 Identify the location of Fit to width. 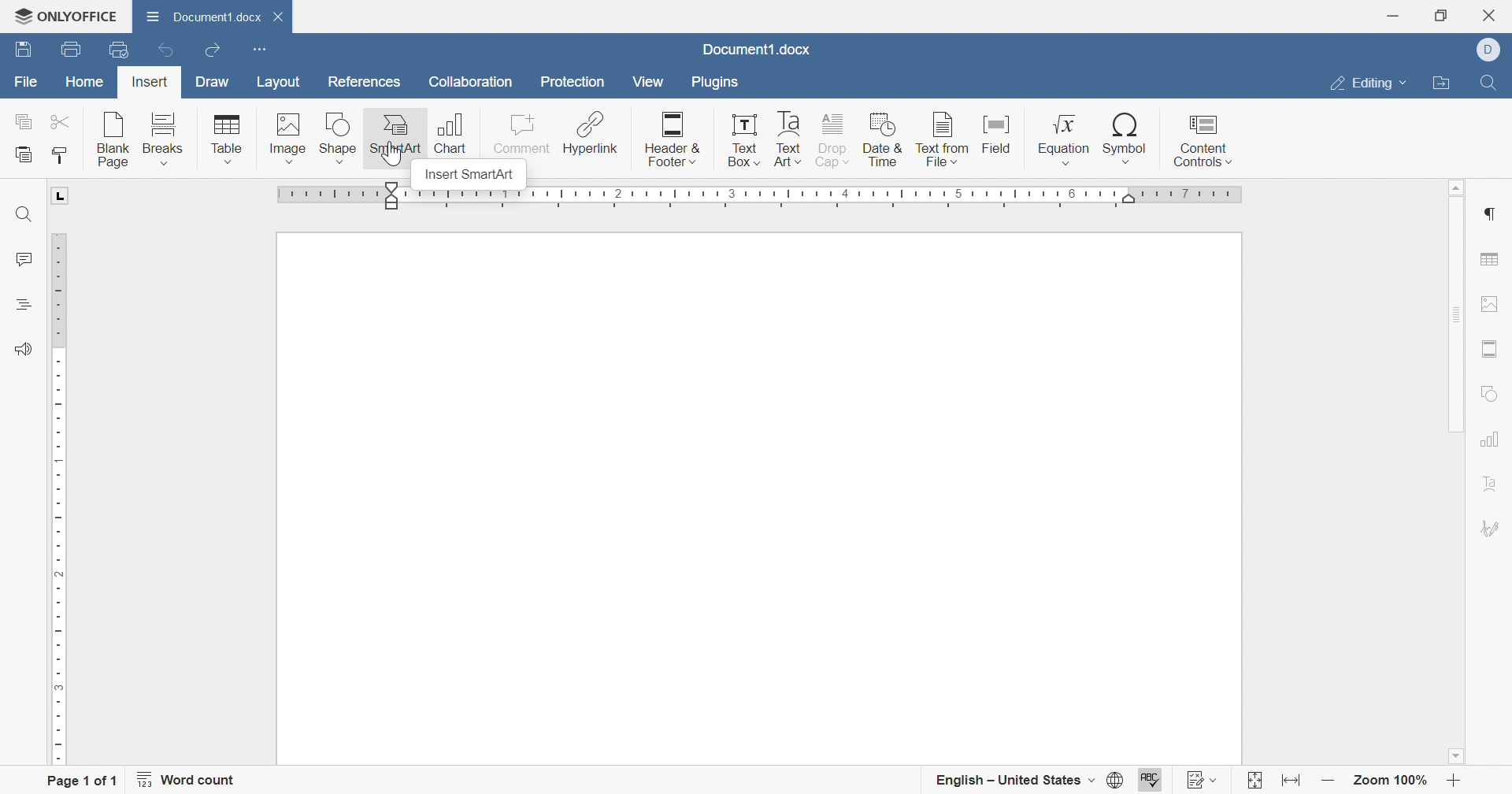
(1288, 781).